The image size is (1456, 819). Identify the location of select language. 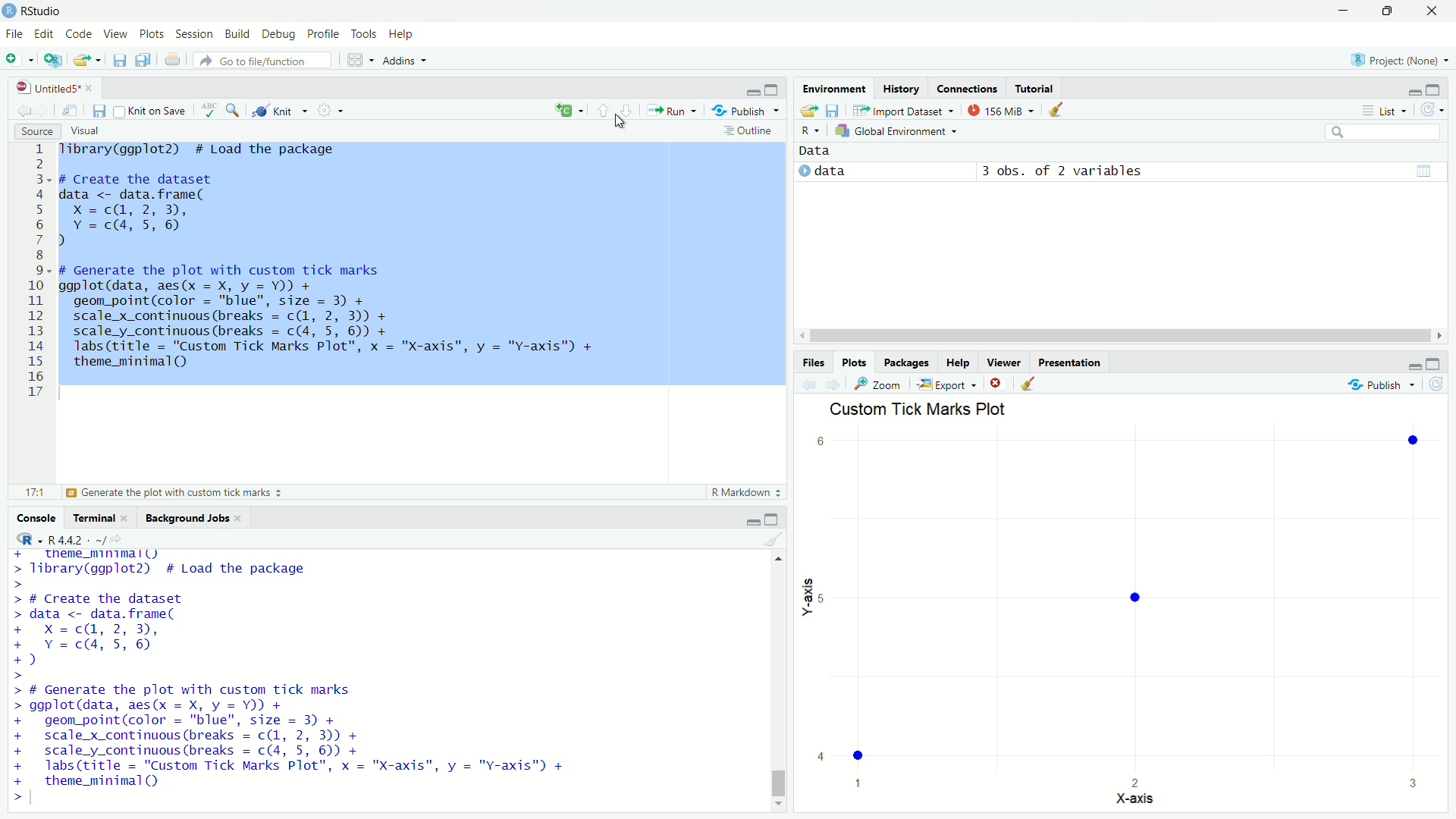
(805, 131).